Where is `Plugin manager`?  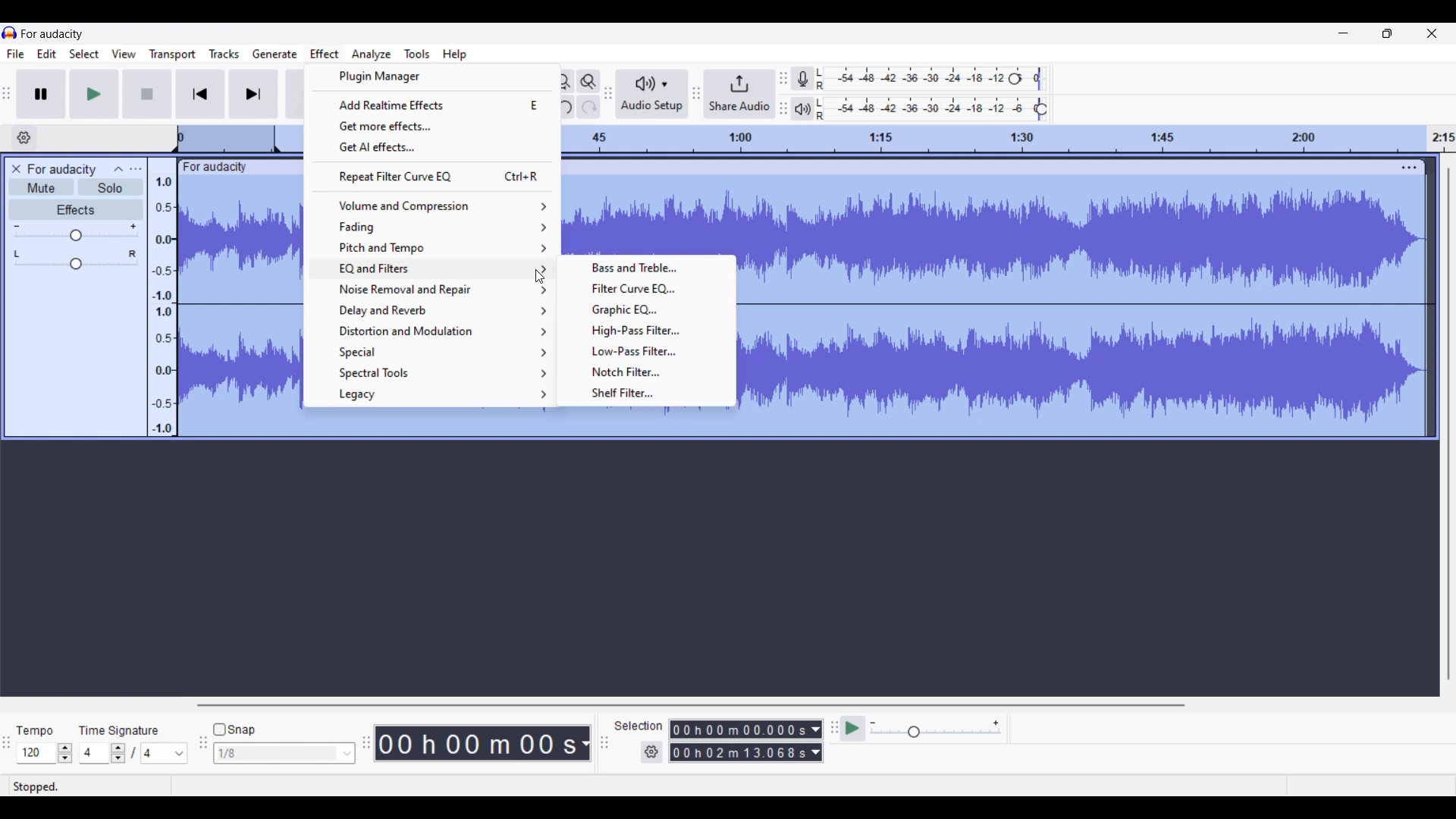 Plugin manager is located at coordinates (431, 77).